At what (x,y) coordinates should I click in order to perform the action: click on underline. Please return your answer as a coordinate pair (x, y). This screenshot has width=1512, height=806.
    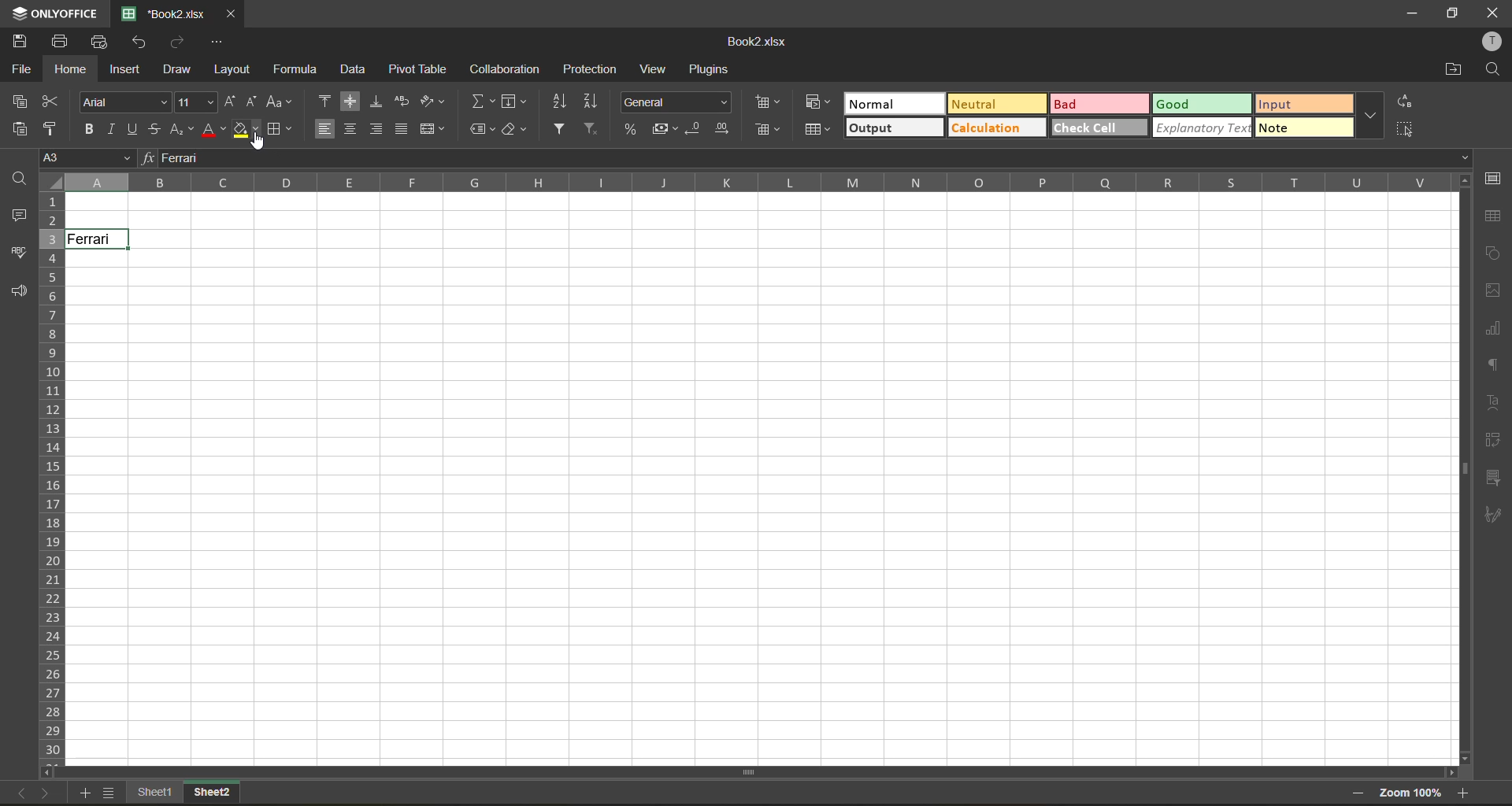
    Looking at the image, I should click on (137, 128).